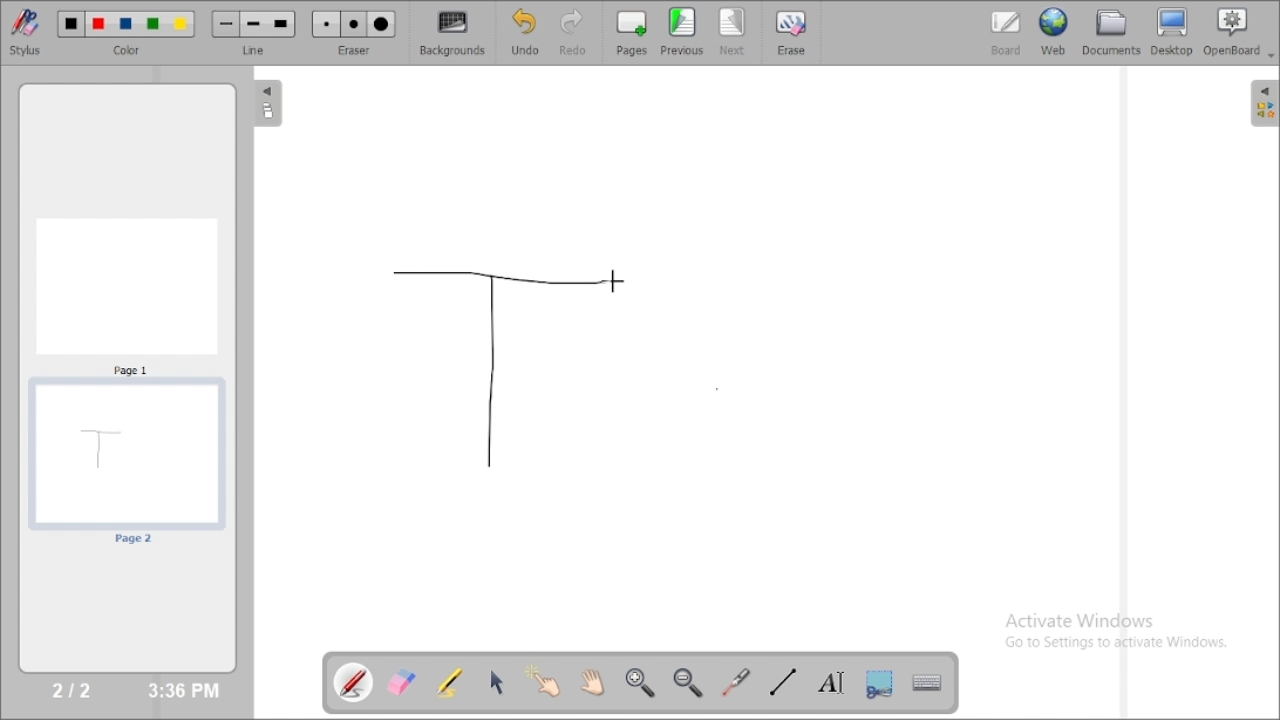 Image resolution: width=1280 pixels, height=720 pixels. What do you see at coordinates (1006, 33) in the screenshot?
I see `board` at bounding box center [1006, 33].